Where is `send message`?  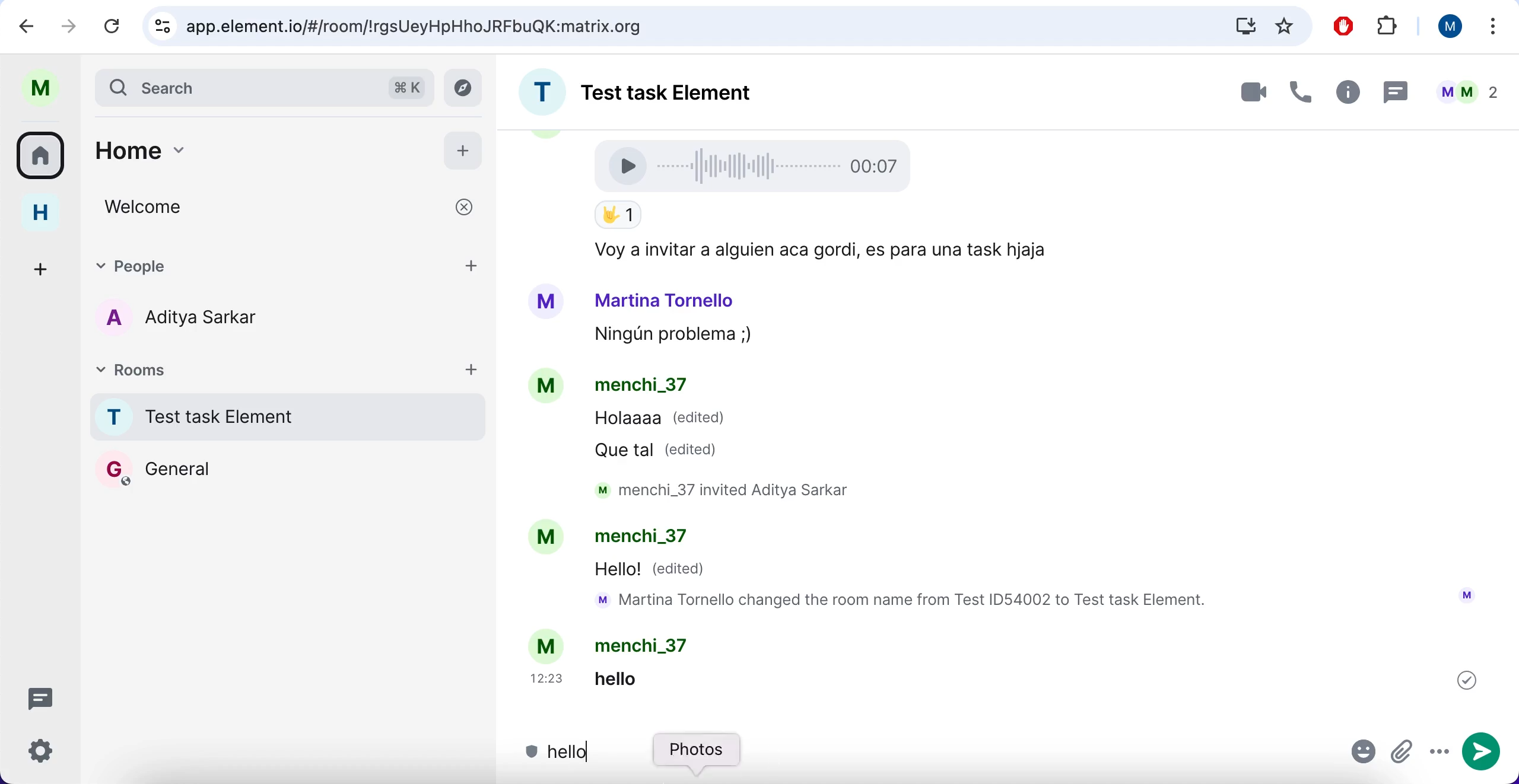
send message is located at coordinates (1484, 753).